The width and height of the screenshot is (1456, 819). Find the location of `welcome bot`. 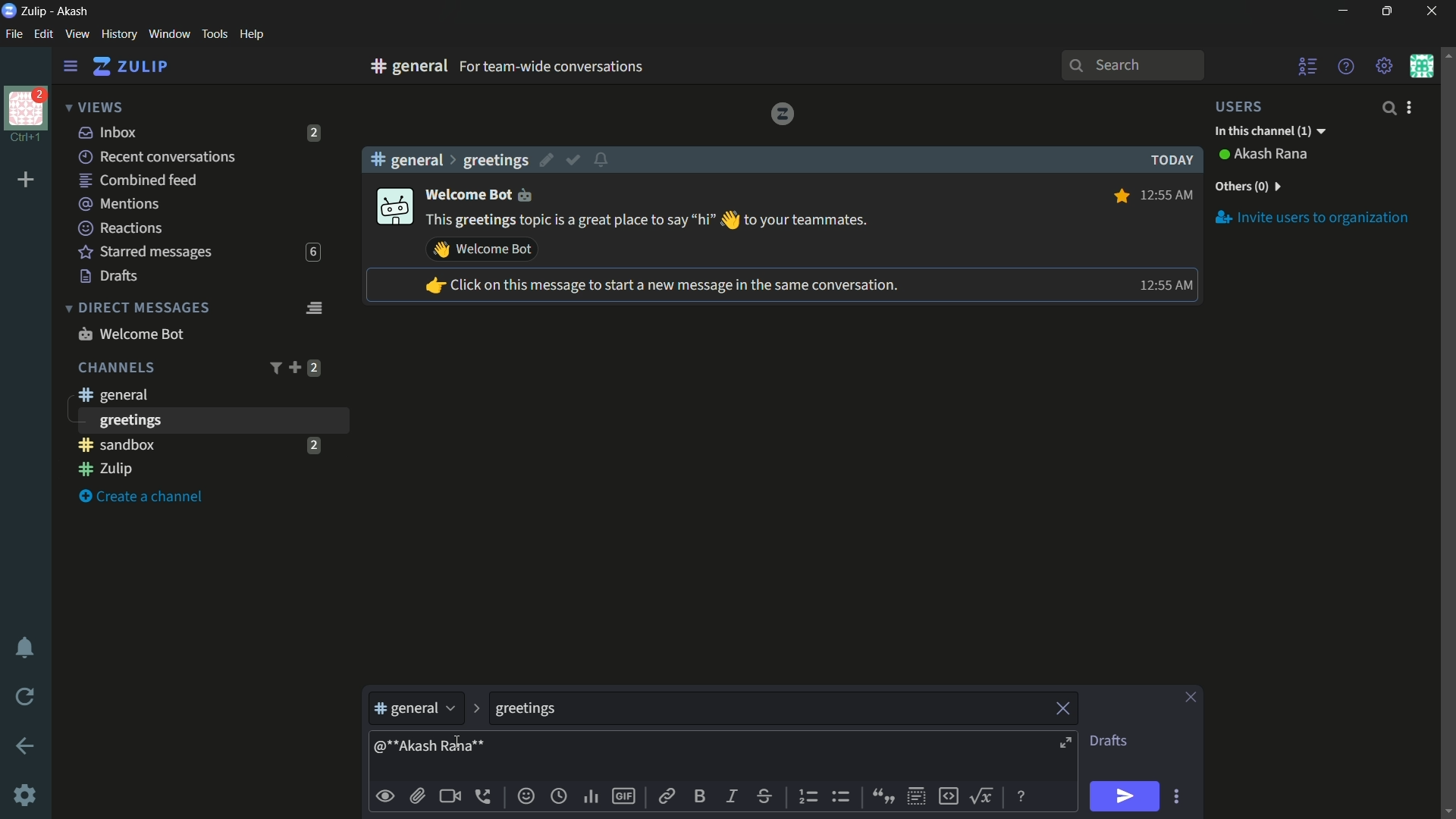

welcome bot is located at coordinates (481, 193).